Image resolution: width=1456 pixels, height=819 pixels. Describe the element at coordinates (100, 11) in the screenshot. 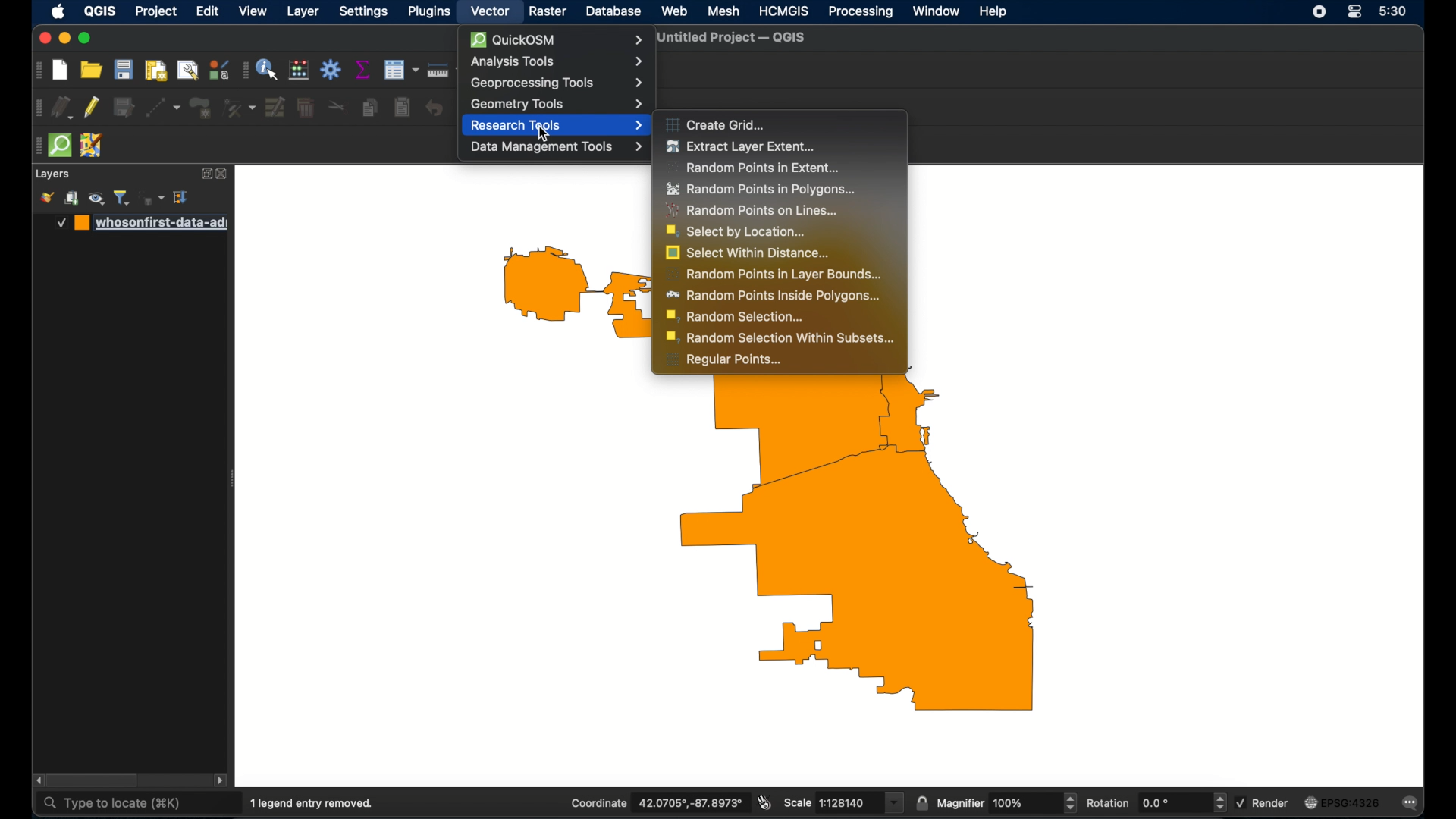

I see `QGIS` at that location.